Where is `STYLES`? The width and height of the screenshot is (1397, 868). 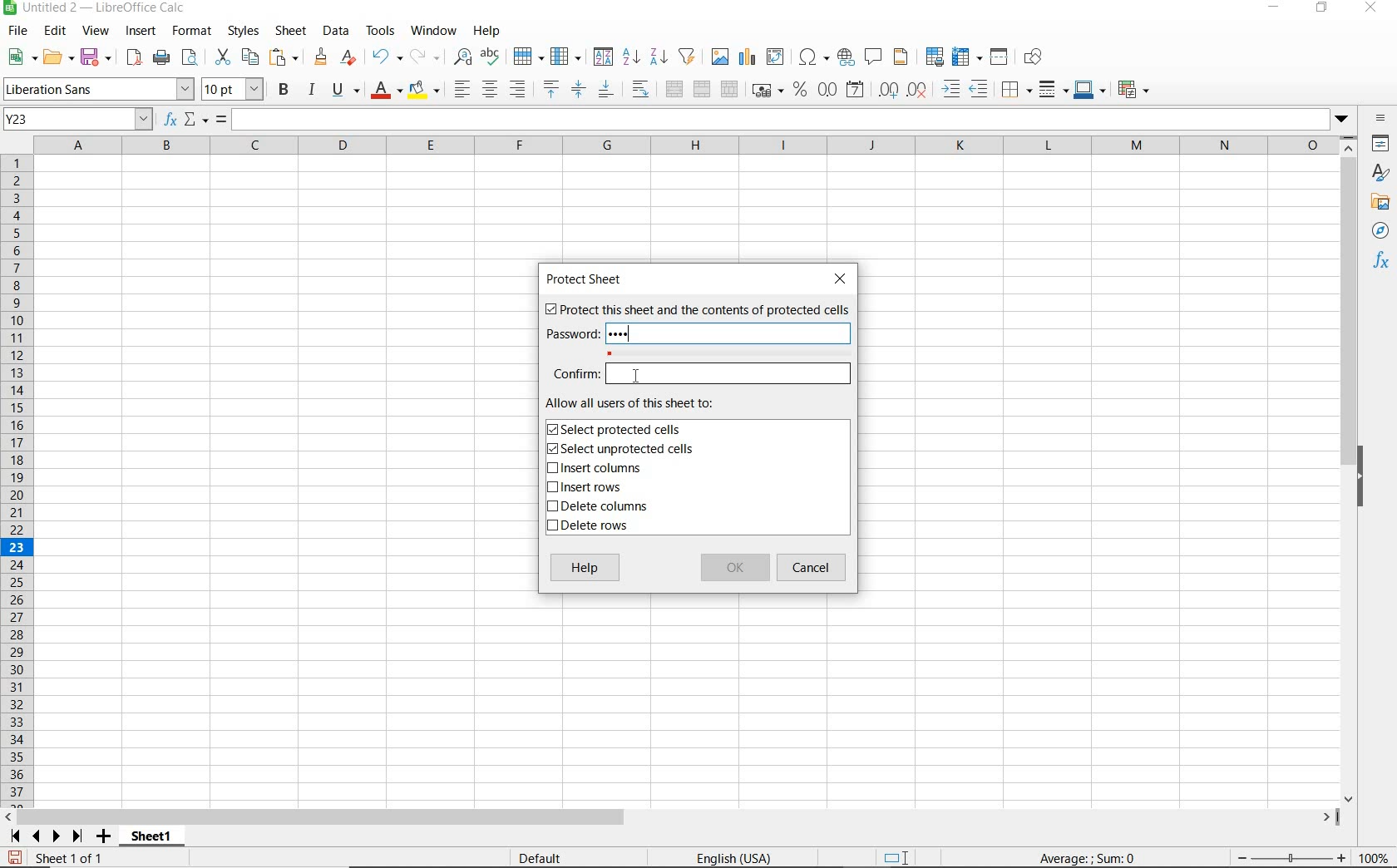 STYLES is located at coordinates (1380, 173).